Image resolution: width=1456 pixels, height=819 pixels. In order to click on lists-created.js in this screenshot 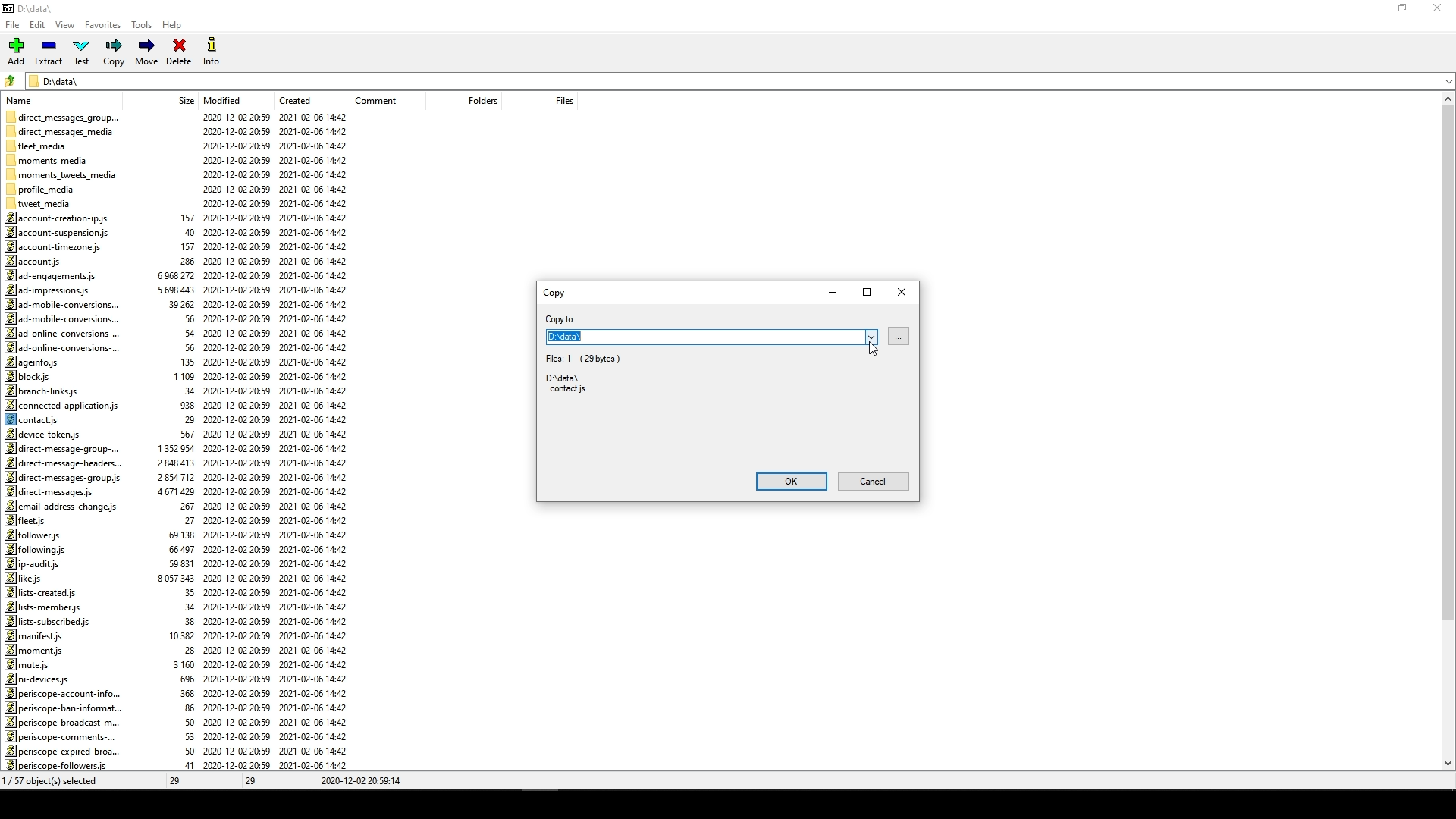, I will do `click(45, 592)`.